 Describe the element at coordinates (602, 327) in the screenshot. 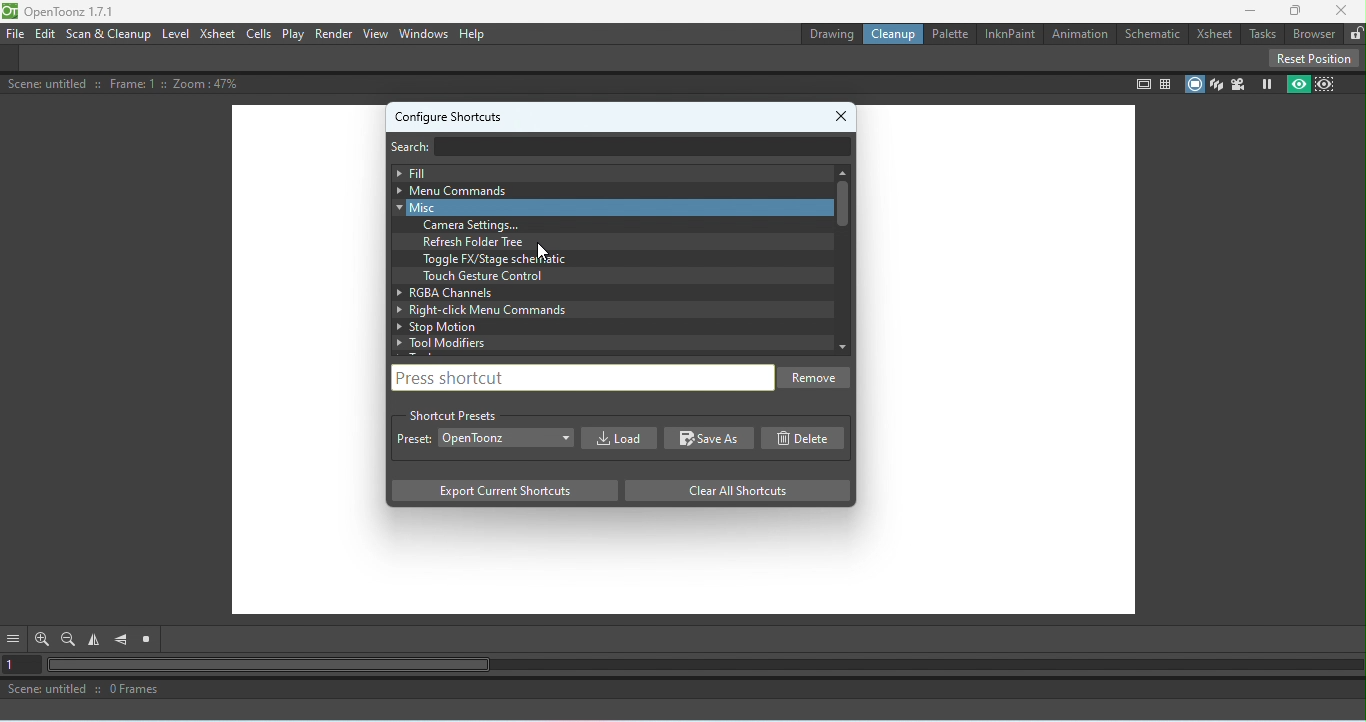

I see `Stop motion` at that location.